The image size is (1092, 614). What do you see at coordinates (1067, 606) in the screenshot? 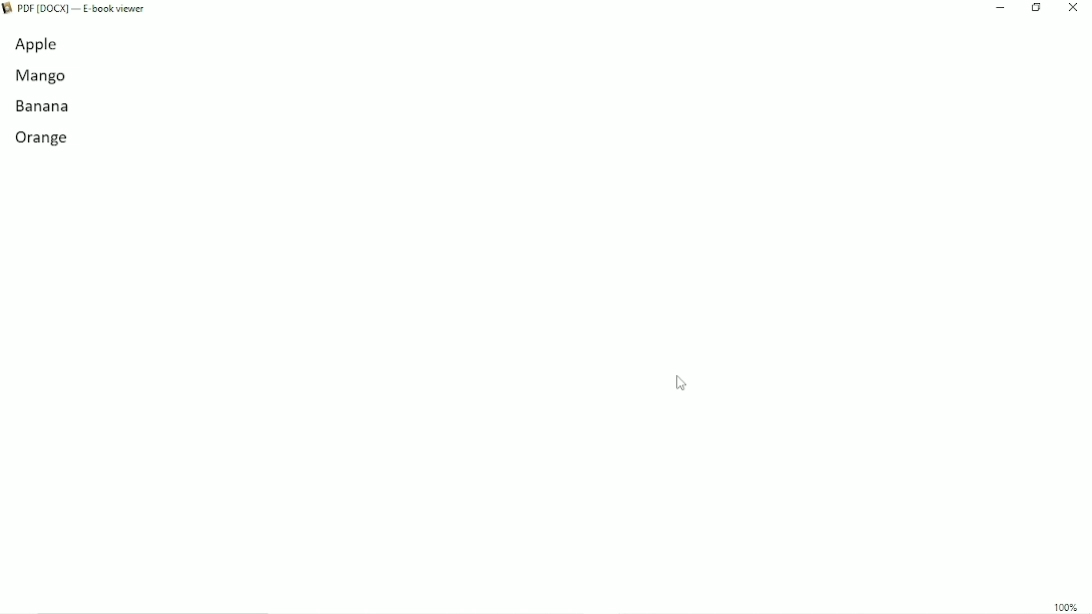
I see `100%` at bounding box center [1067, 606].